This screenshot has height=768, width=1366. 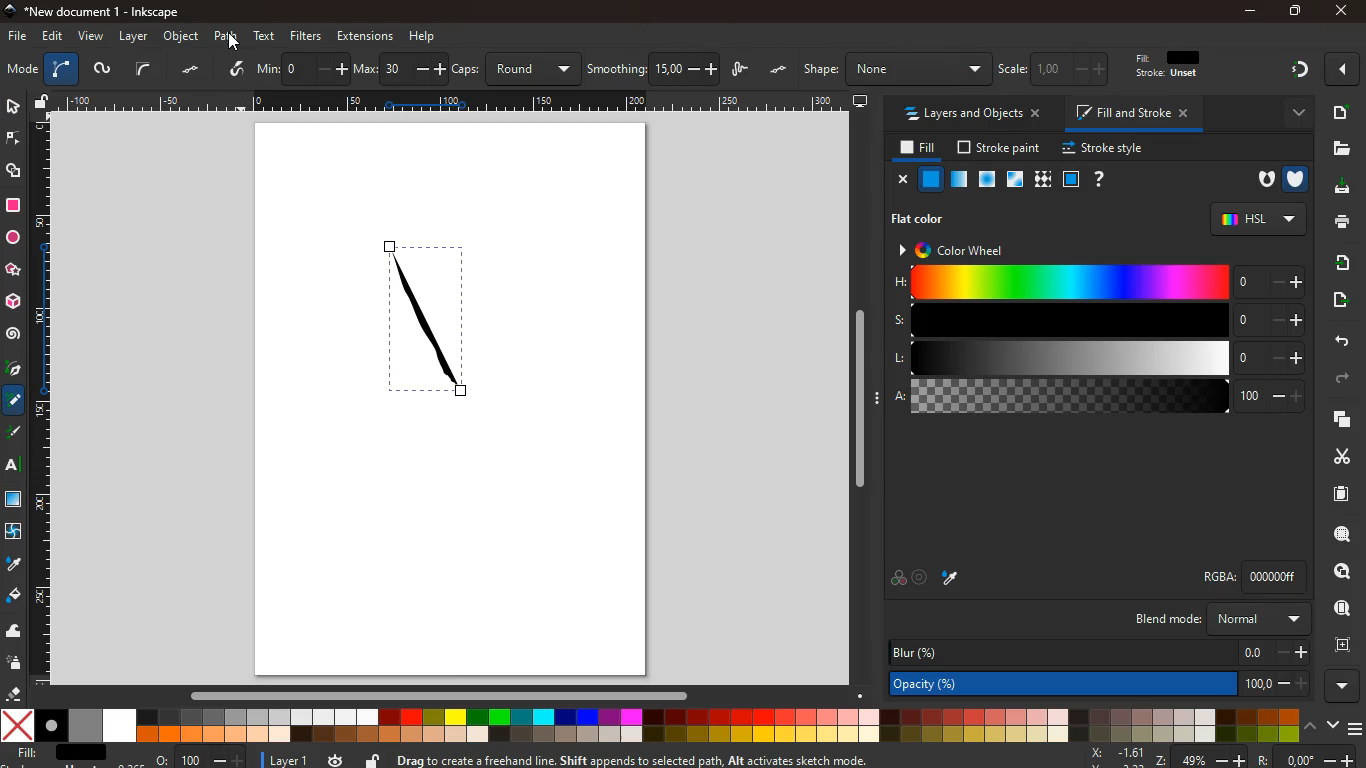 What do you see at coordinates (1336, 456) in the screenshot?
I see `cut` at bounding box center [1336, 456].